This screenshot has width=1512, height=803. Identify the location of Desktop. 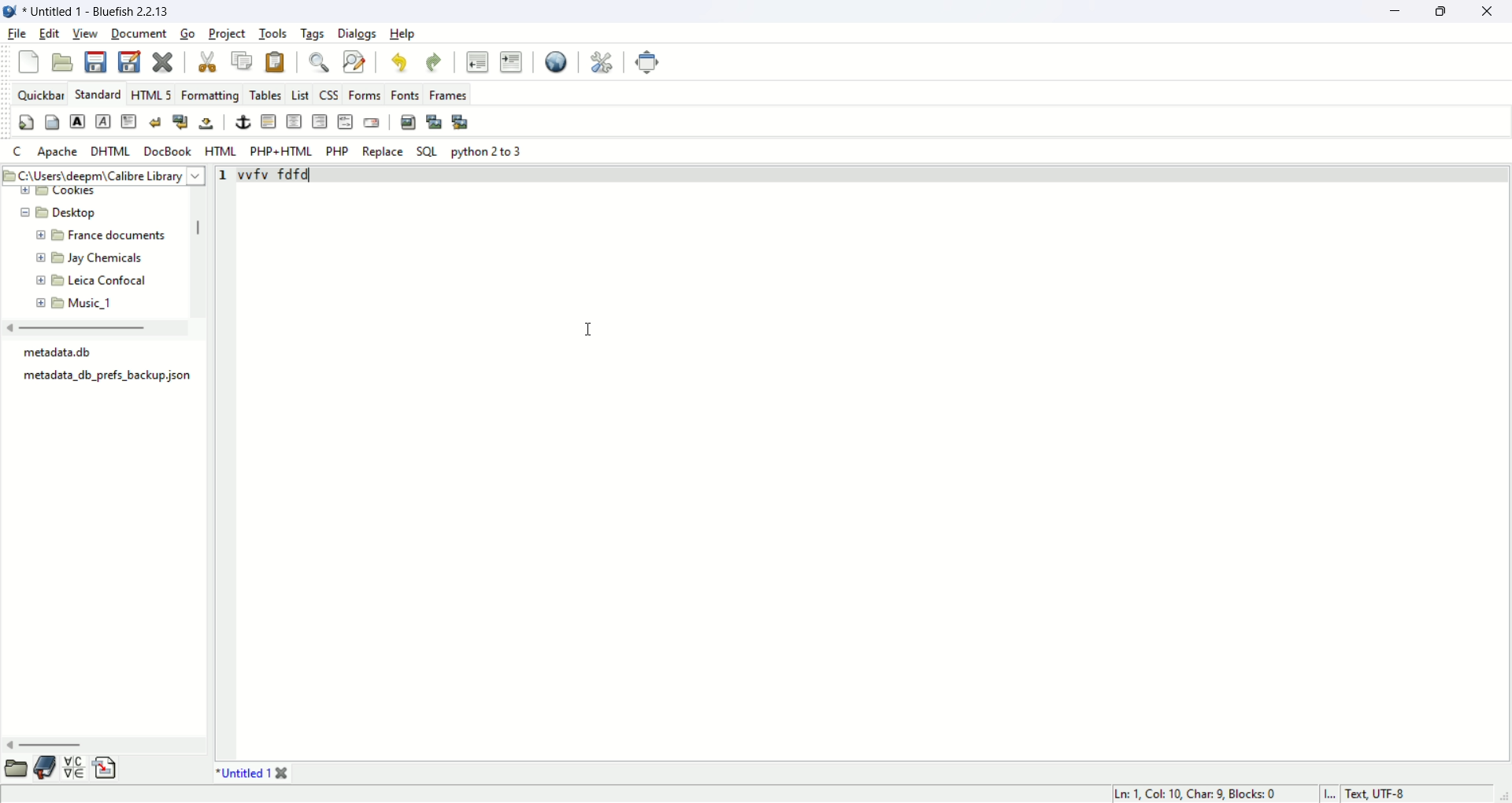
(83, 213).